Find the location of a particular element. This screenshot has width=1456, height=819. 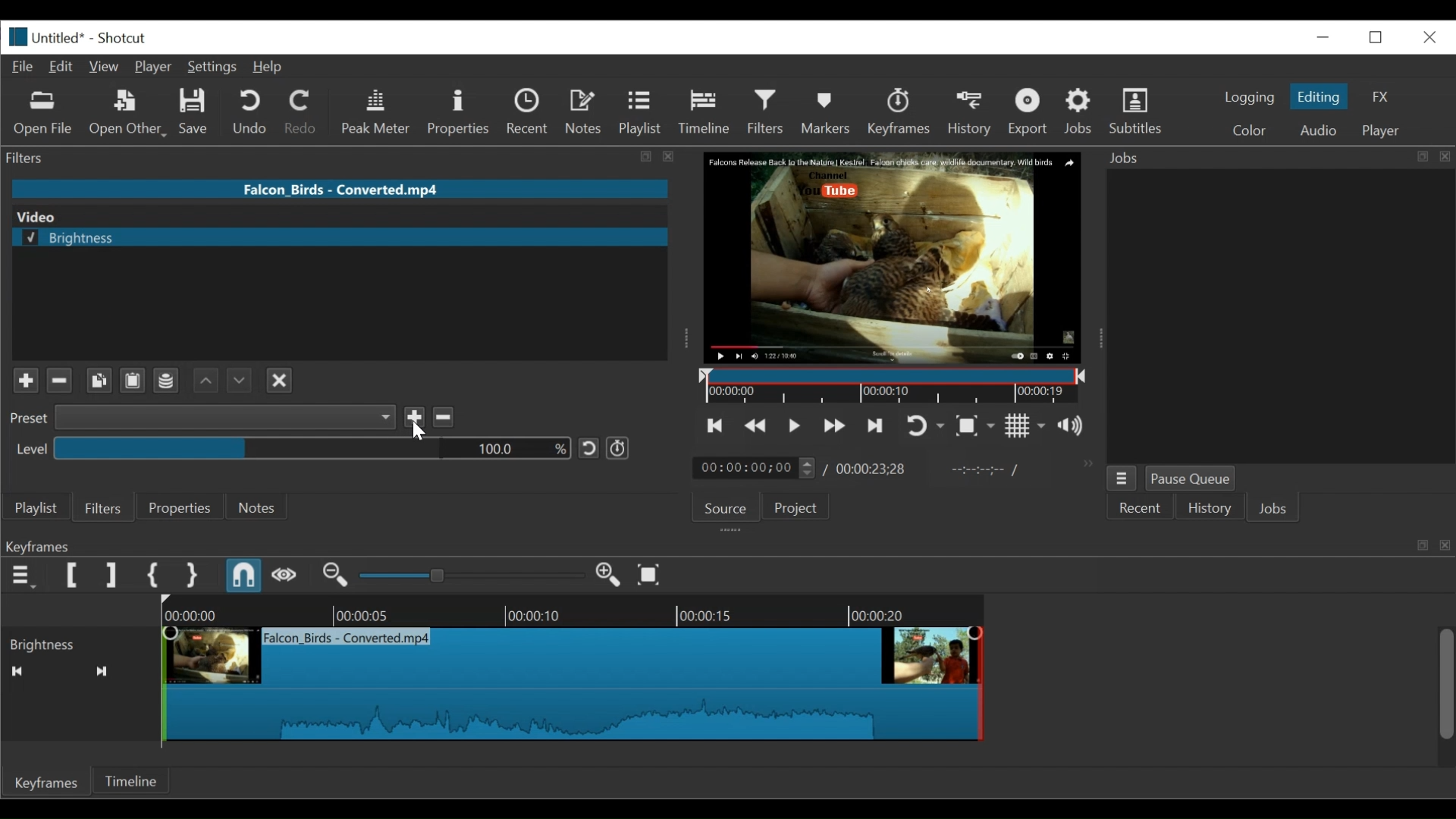

Settings is located at coordinates (215, 67).